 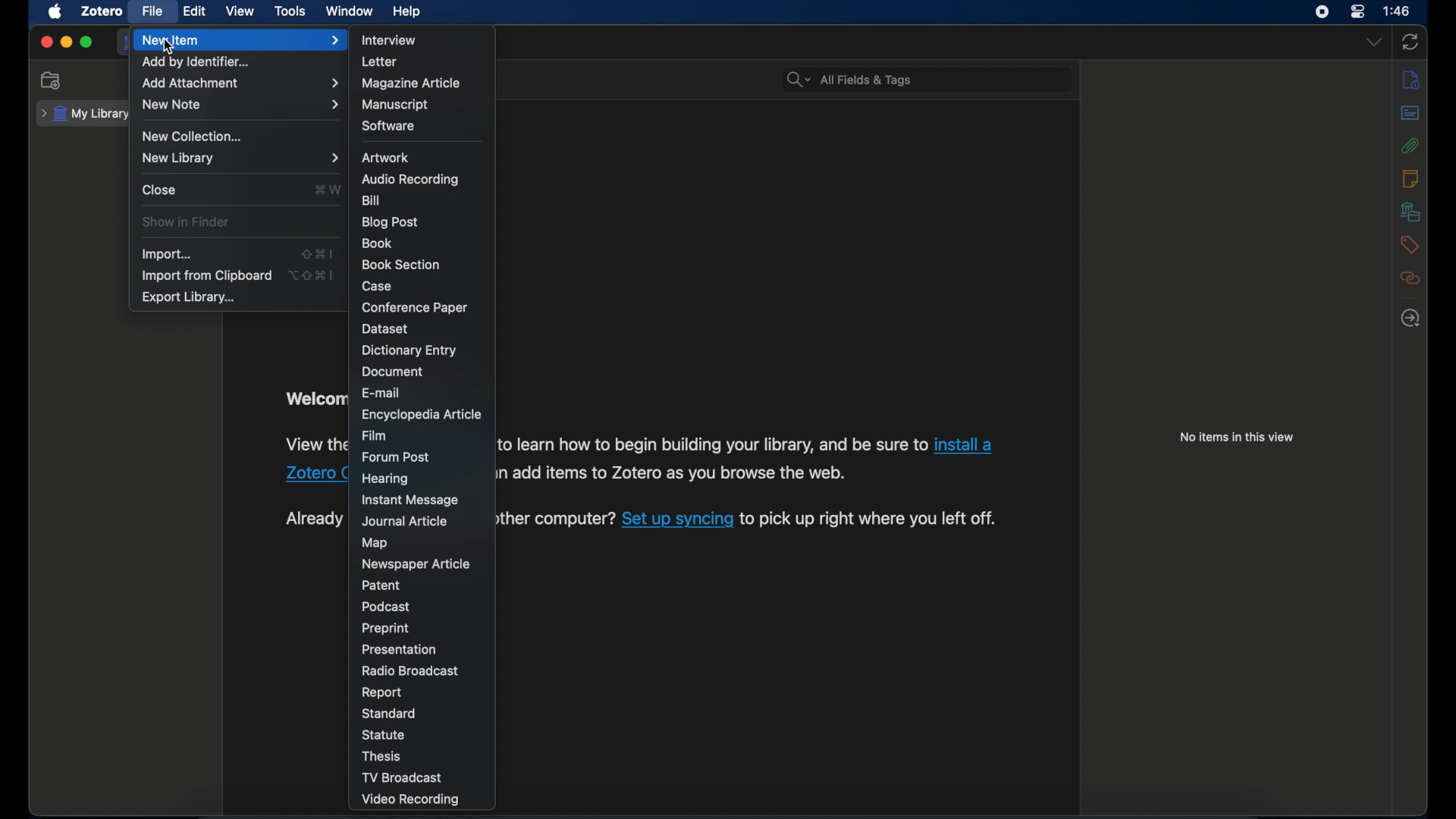 I want to click on other computer?, so click(x=559, y=519).